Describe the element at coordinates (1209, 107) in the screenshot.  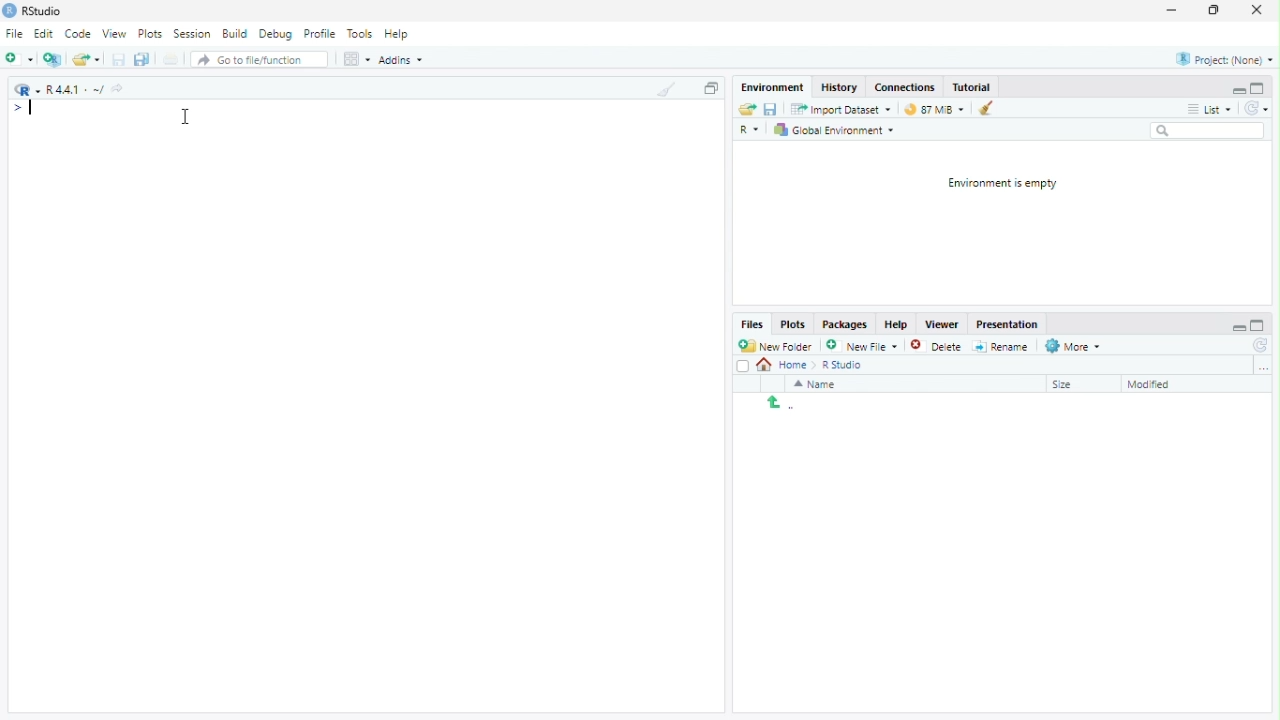
I see `List` at that location.